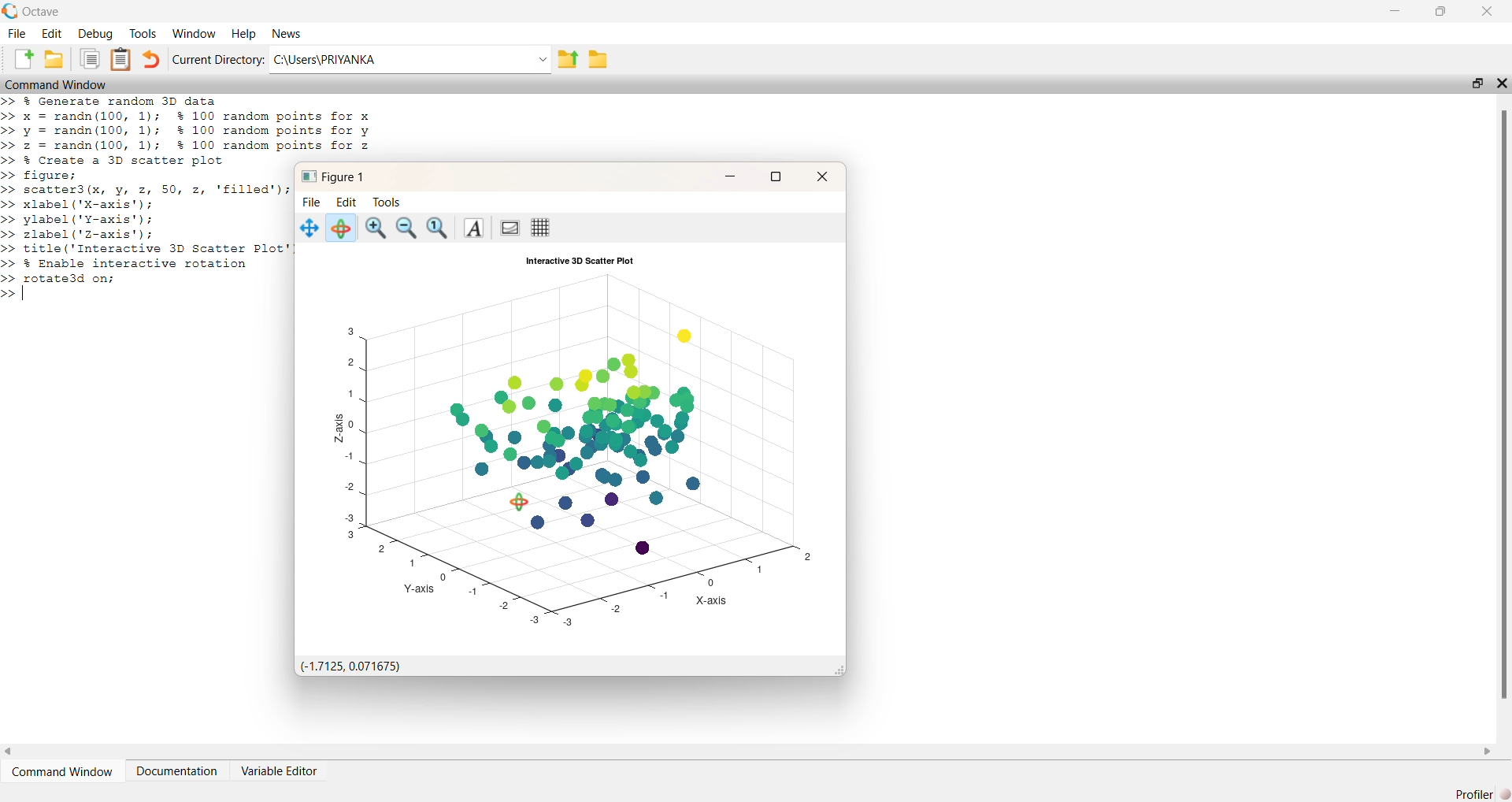 This screenshot has height=802, width=1512. Describe the element at coordinates (41, 12) in the screenshot. I see `Octave` at that location.